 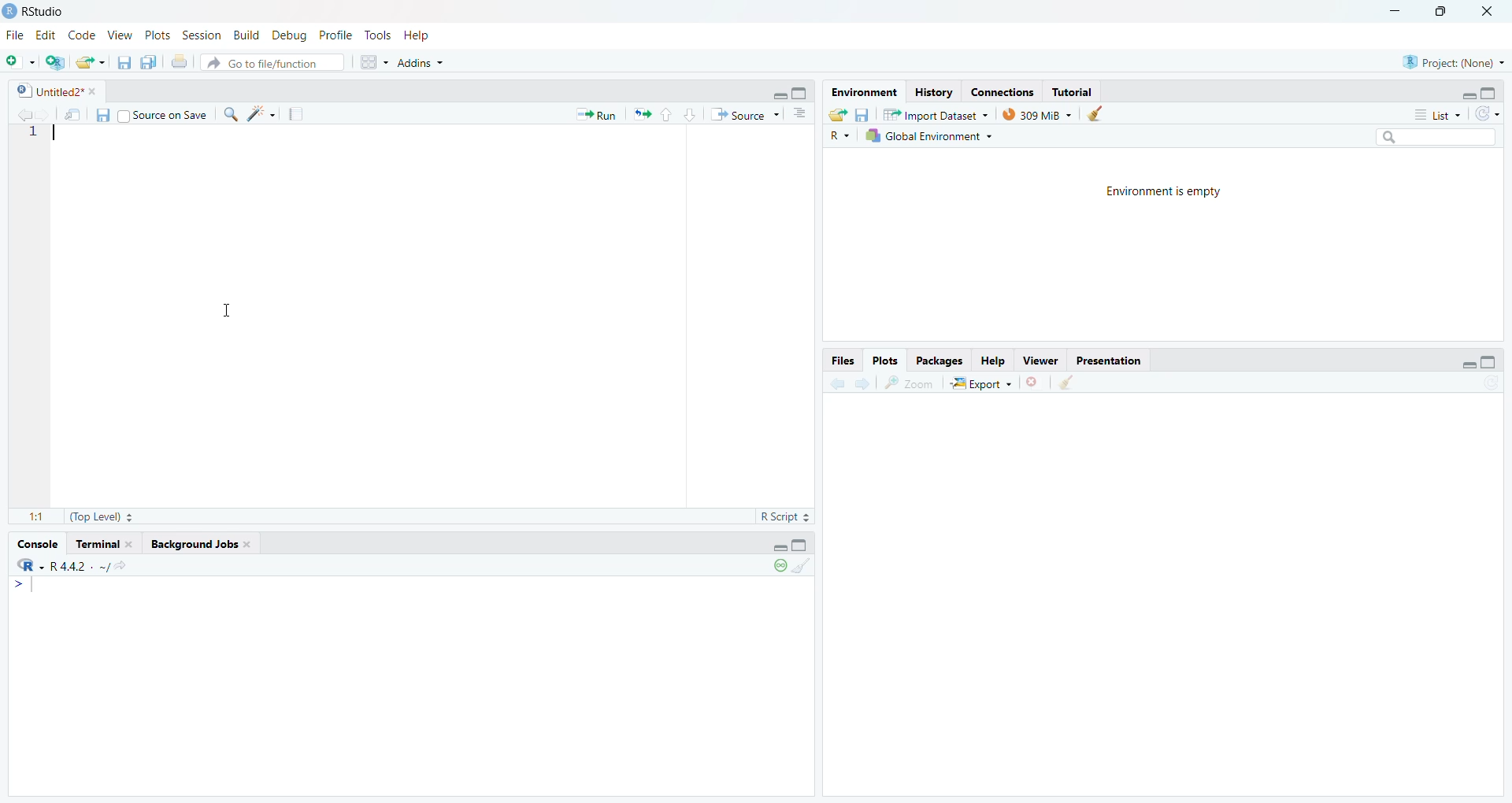 What do you see at coordinates (801, 92) in the screenshot?
I see `maximise` at bounding box center [801, 92].